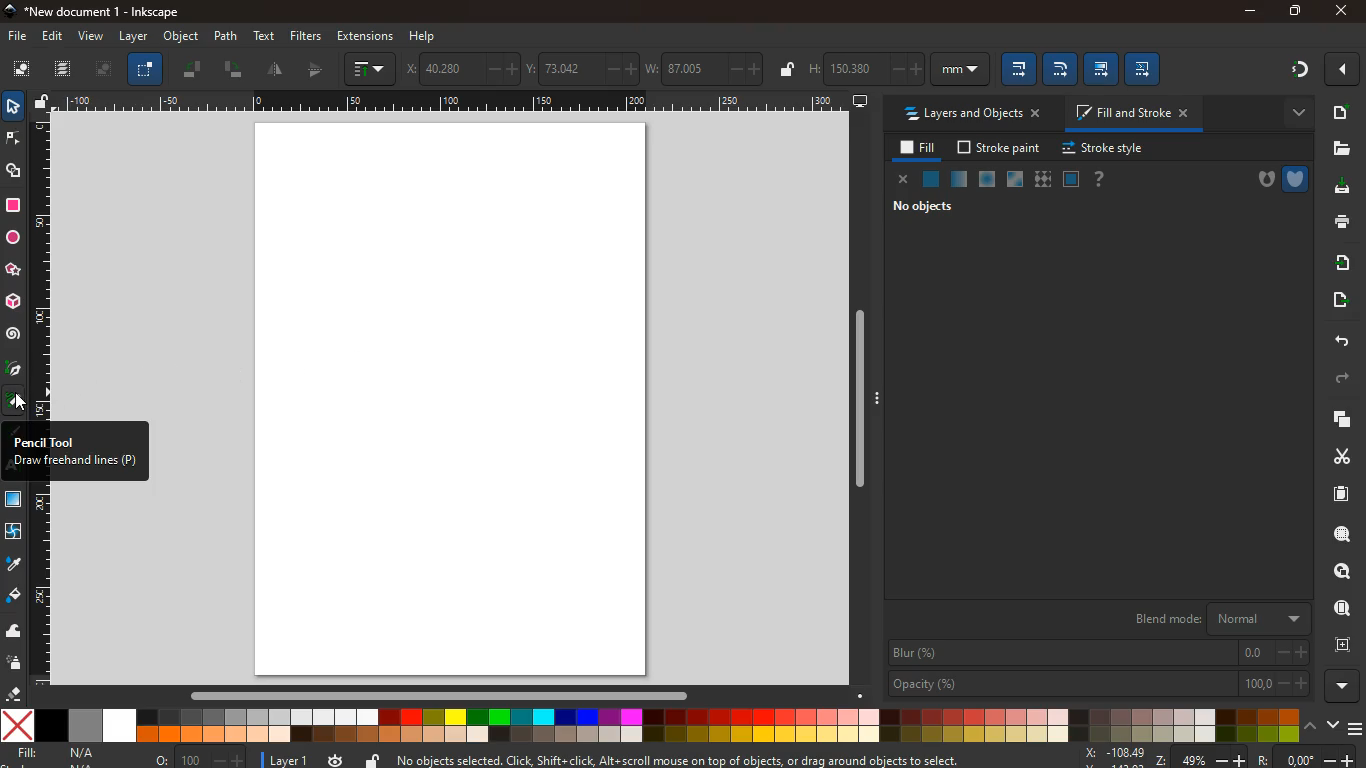 Image resolution: width=1366 pixels, height=768 pixels. I want to click on texture, so click(14, 499).